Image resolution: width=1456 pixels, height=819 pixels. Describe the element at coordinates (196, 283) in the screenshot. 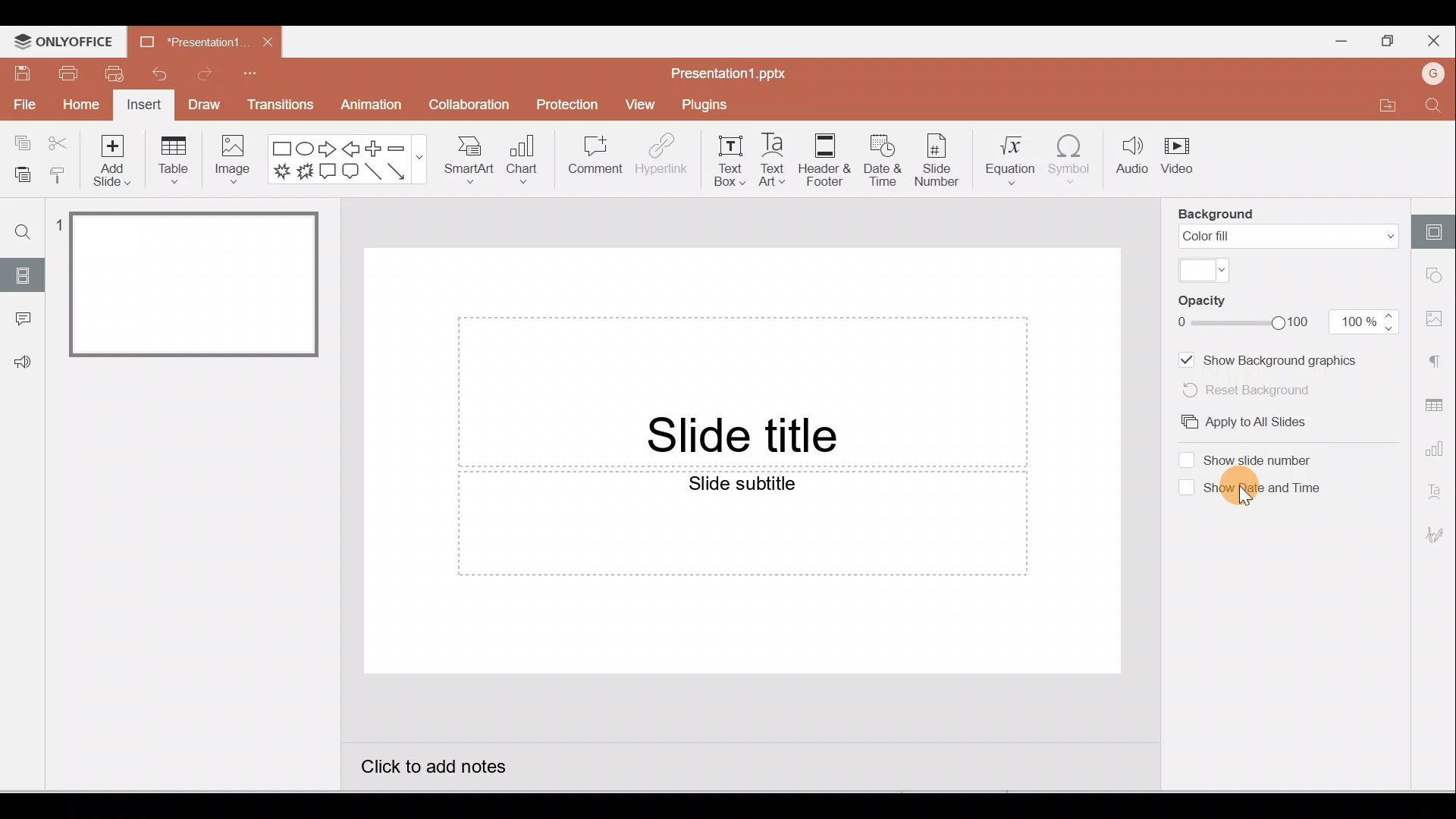

I see `Master slide 1` at that location.